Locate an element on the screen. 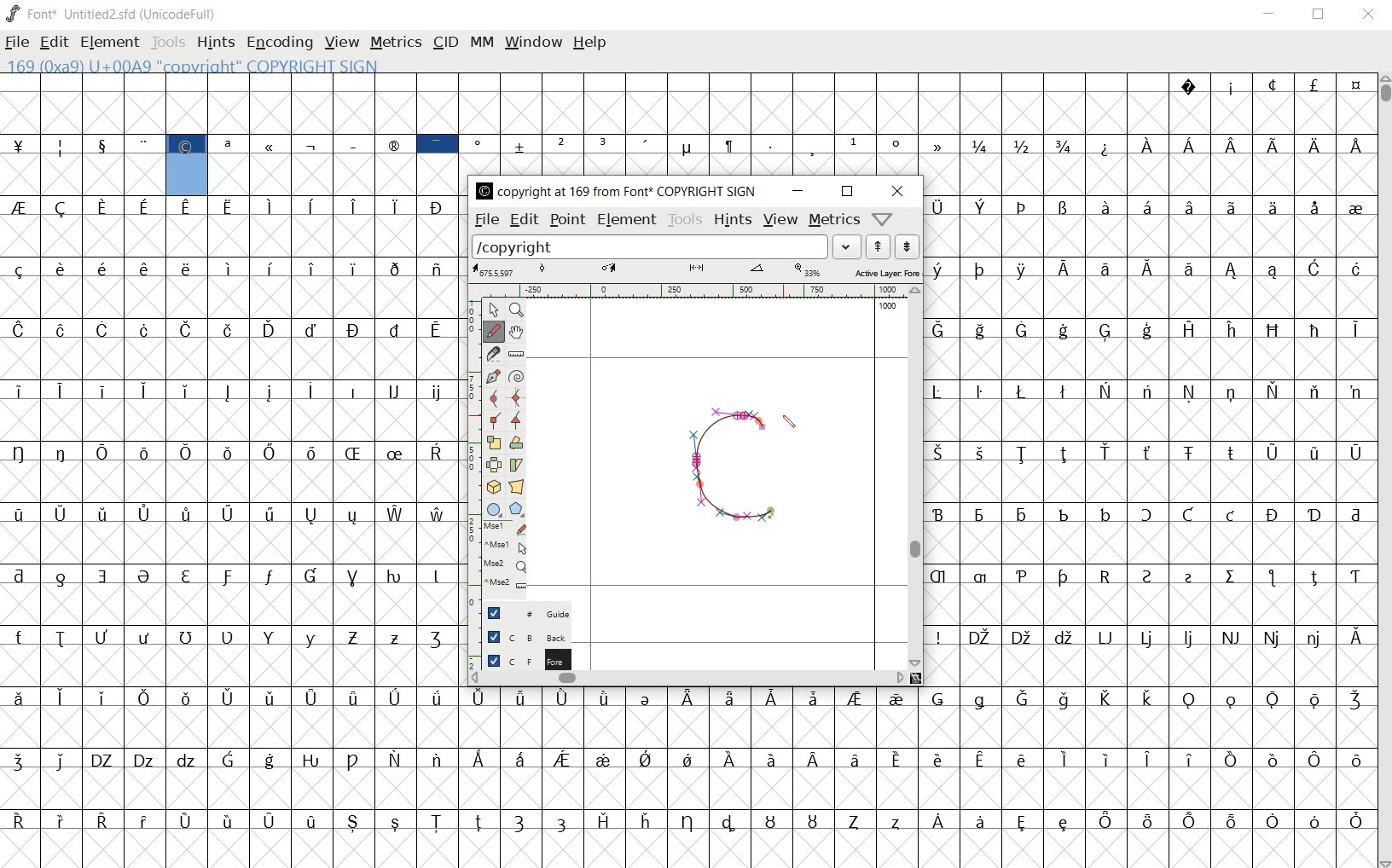 The width and height of the screenshot is (1392, 868). Add a corner point is located at coordinates (497, 420).